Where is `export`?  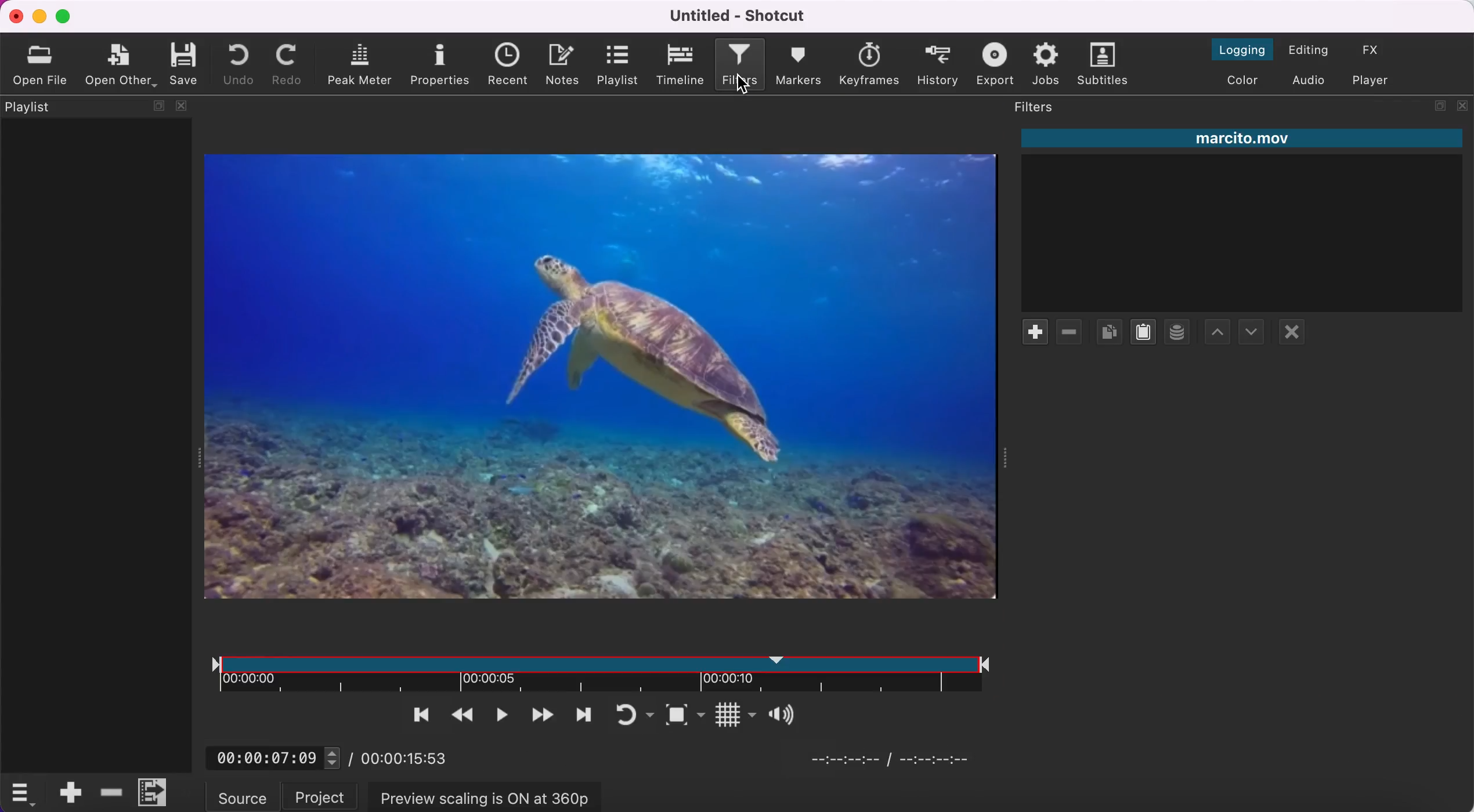
export is located at coordinates (994, 64).